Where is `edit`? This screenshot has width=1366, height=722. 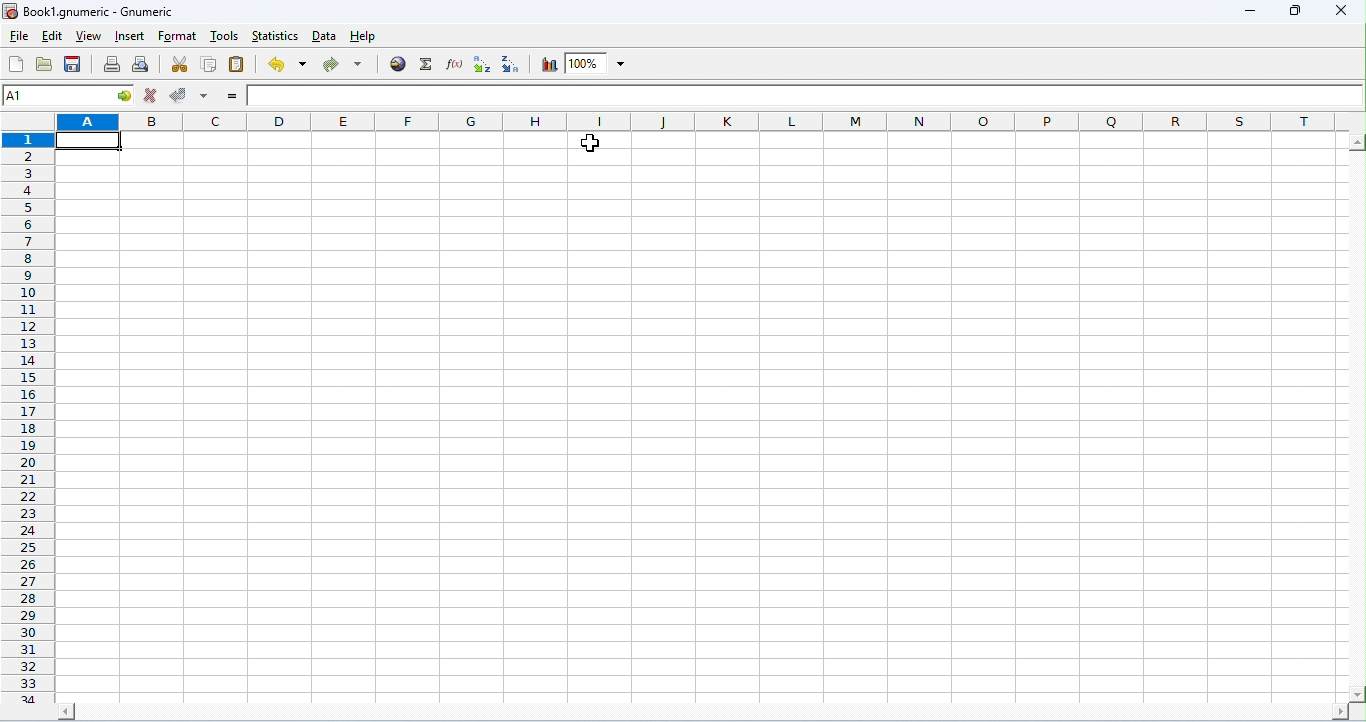 edit is located at coordinates (51, 37).